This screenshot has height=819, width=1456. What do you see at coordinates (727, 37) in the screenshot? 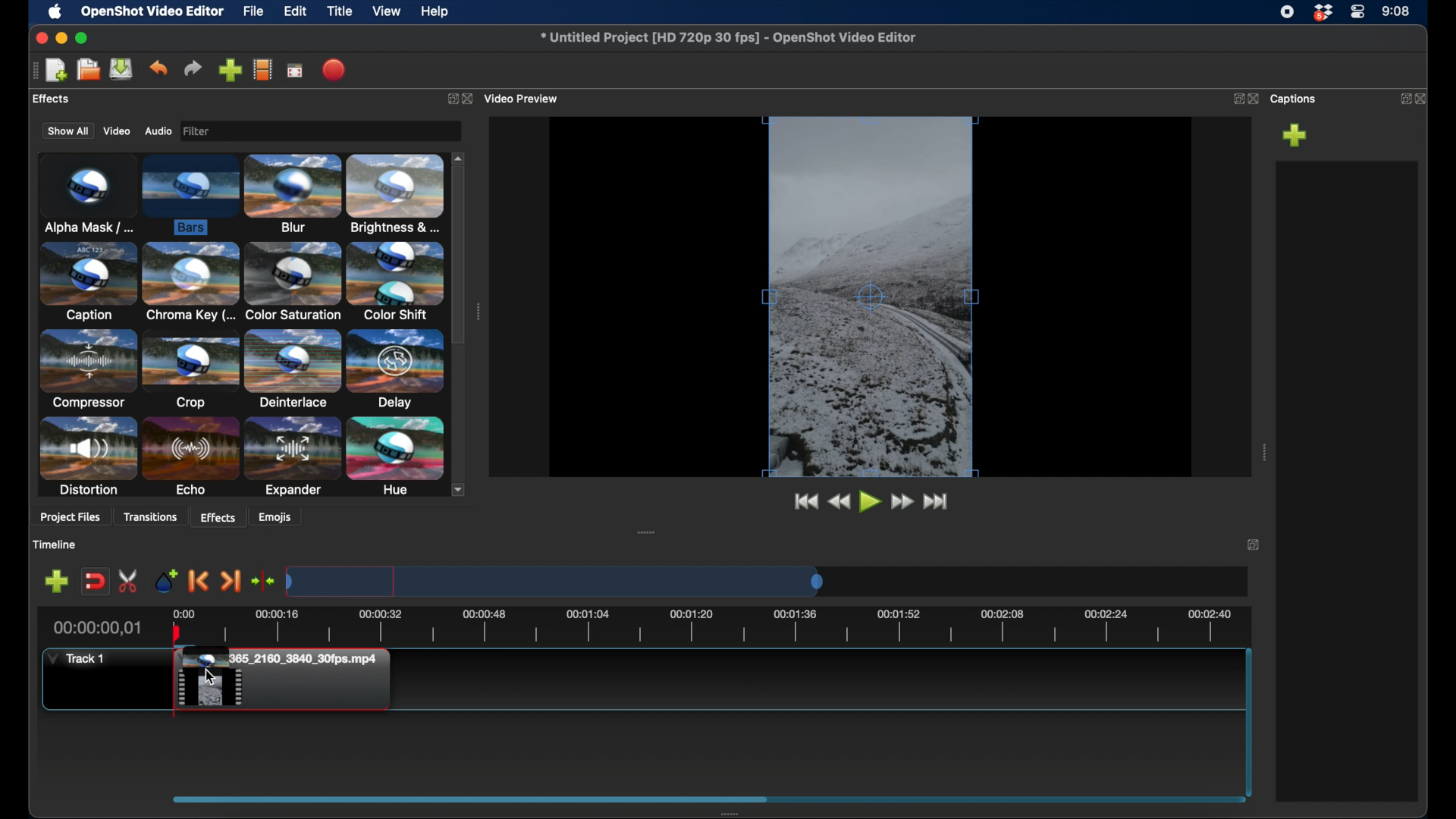
I see `filename` at bounding box center [727, 37].